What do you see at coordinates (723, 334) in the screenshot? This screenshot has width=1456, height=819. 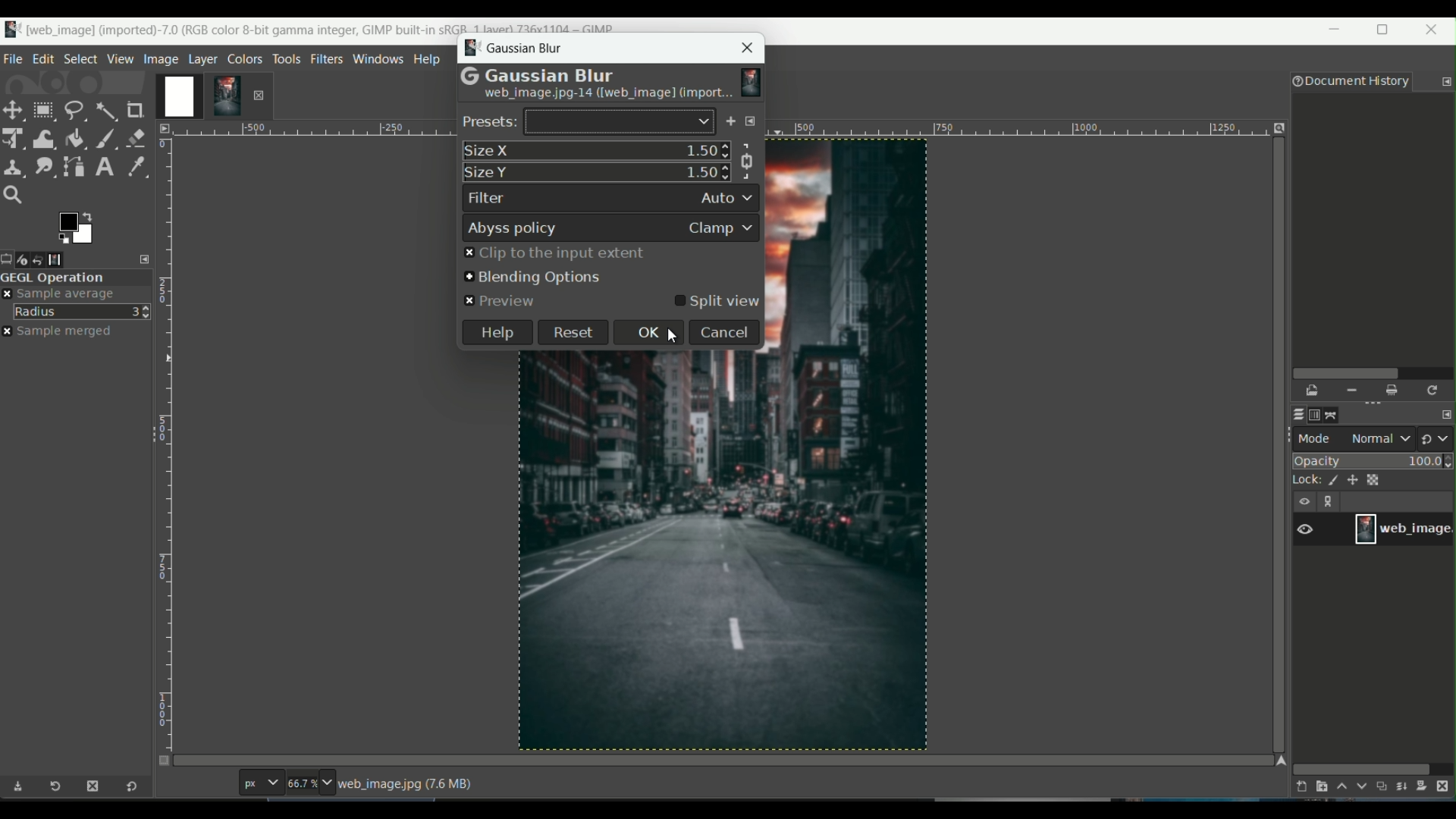 I see `cancel` at bounding box center [723, 334].